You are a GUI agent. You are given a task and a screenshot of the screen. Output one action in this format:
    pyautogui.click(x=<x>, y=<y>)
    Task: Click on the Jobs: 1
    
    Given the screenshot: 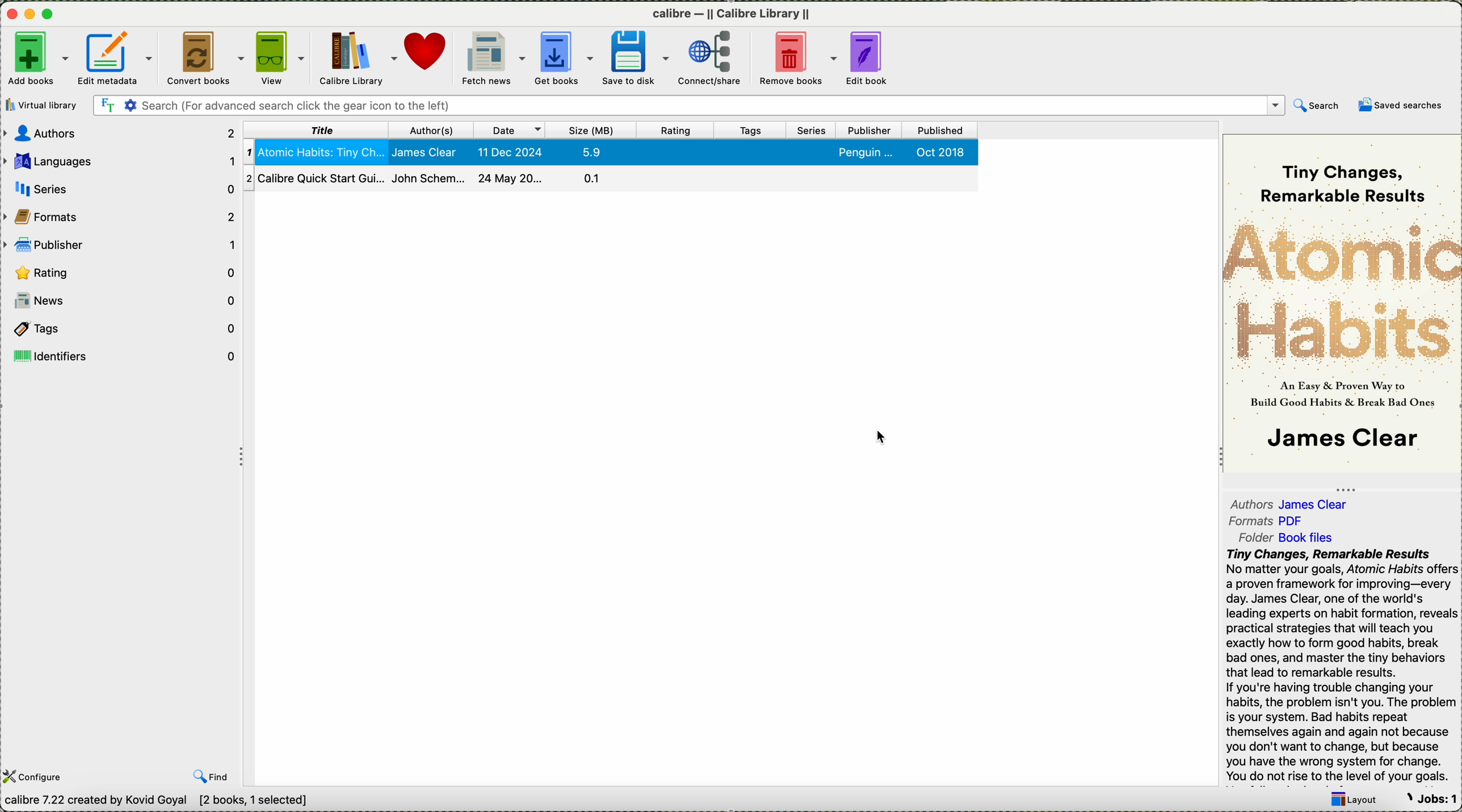 What is the action you would take?
    pyautogui.click(x=1427, y=798)
    